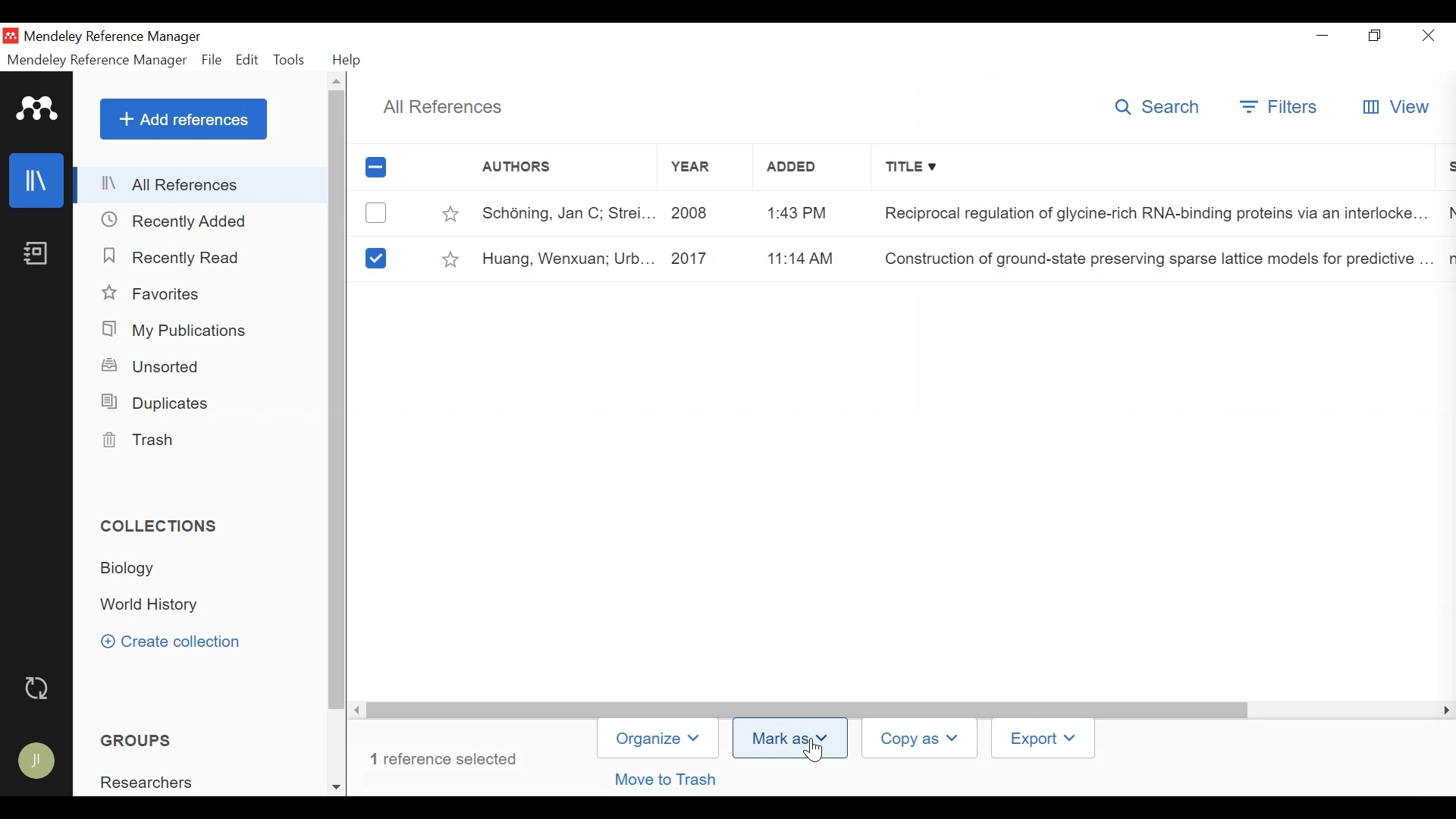 This screenshot has width=1456, height=819. I want to click on 11:14 AM, so click(798, 258).